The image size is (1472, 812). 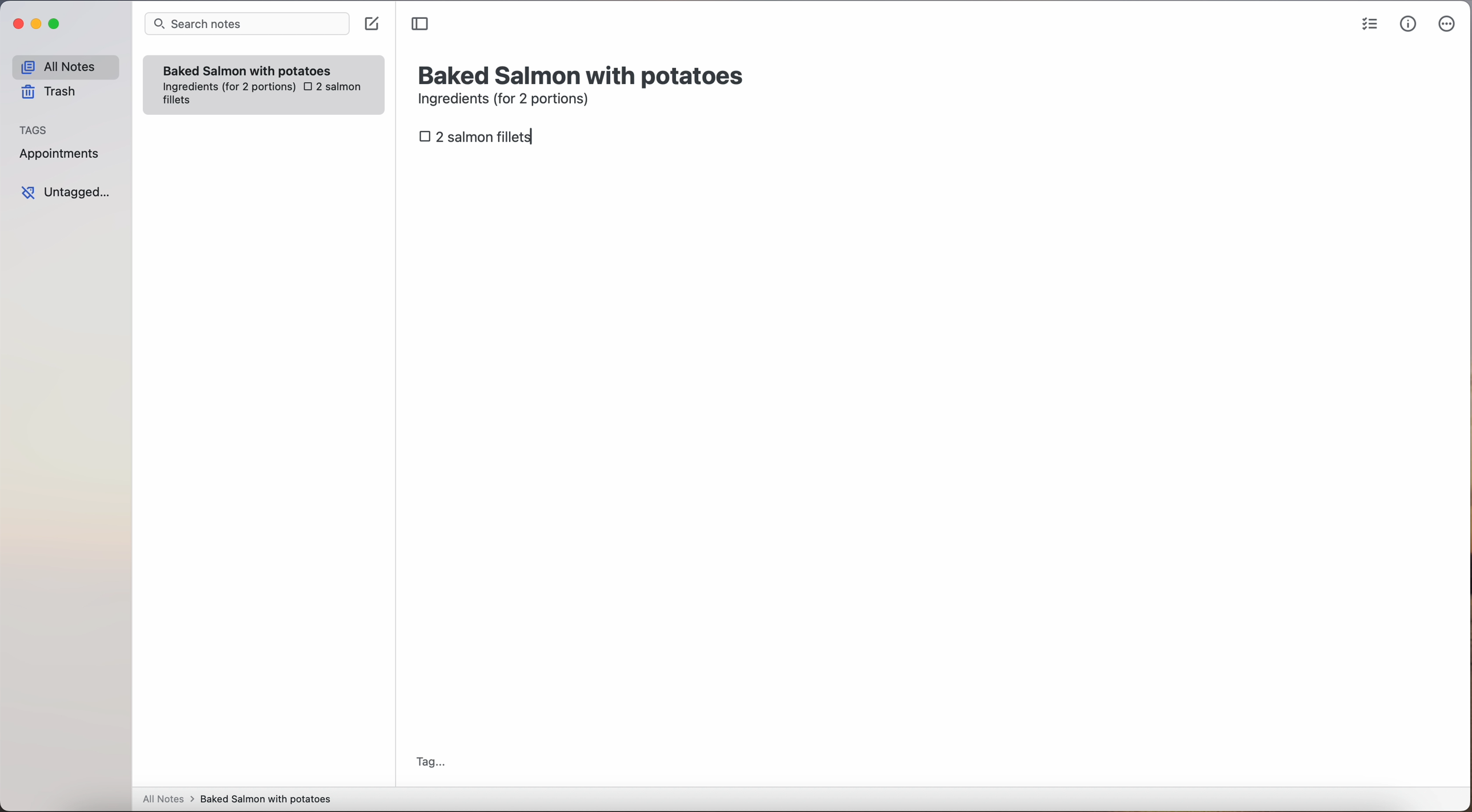 What do you see at coordinates (17, 25) in the screenshot?
I see `close Simplenote` at bounding box center [17, 25].